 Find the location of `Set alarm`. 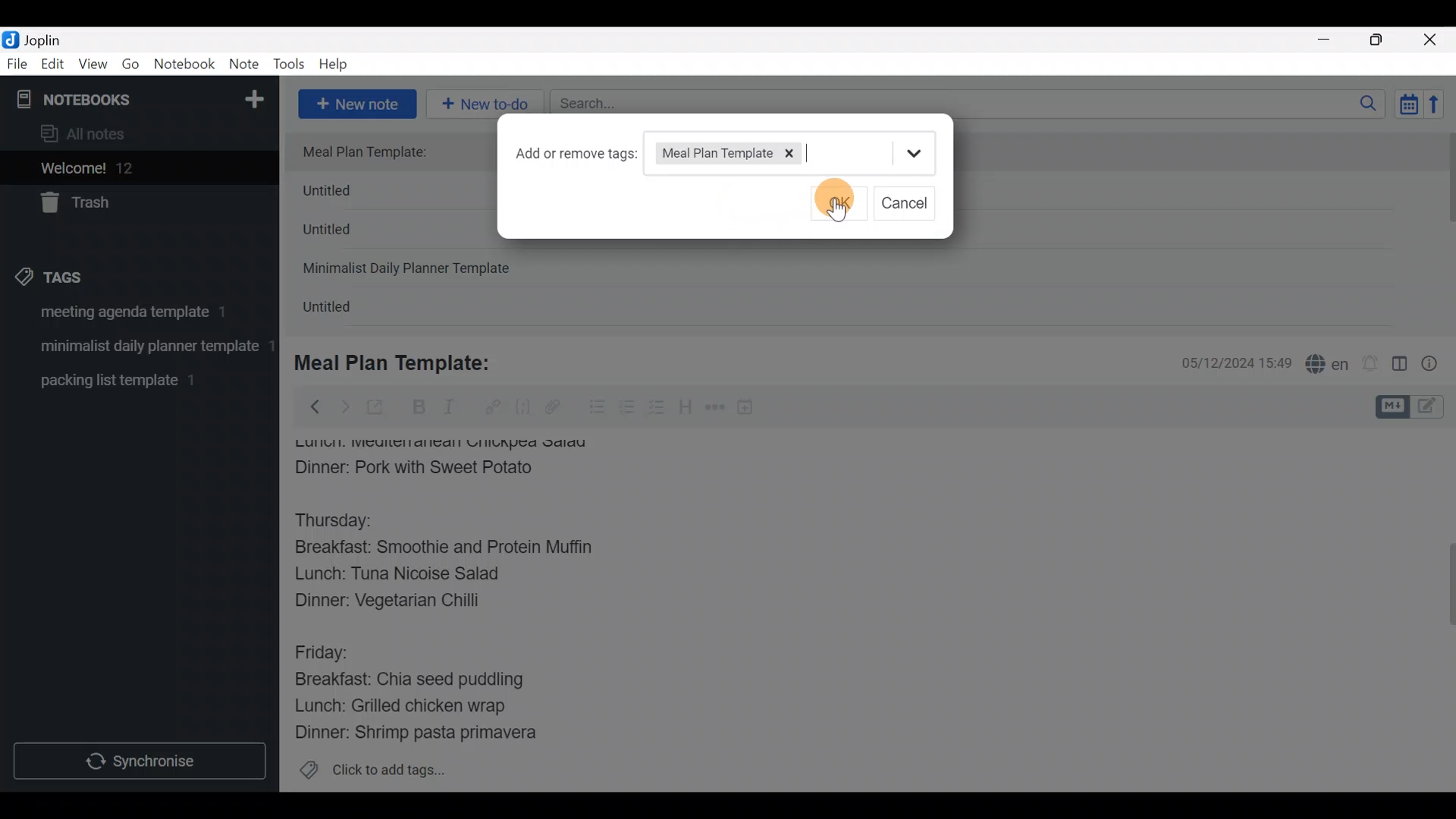

Set alarm is located at coordinates (1371, 365).